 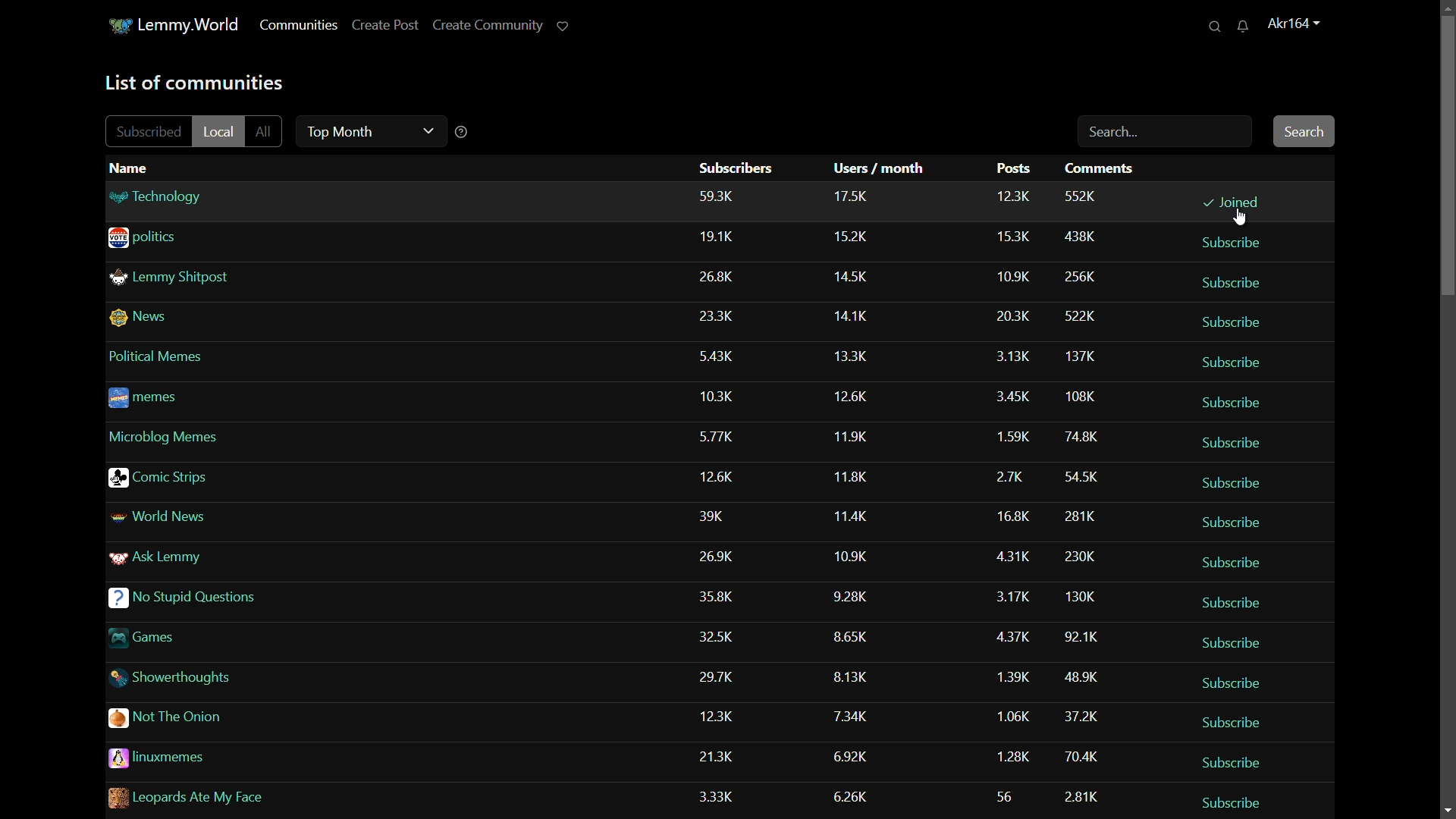 What do you see at coordinates (1232, 403) in the screenshot?
I see `subscribe/unsubscribe` at bounding box center [1232, 403].